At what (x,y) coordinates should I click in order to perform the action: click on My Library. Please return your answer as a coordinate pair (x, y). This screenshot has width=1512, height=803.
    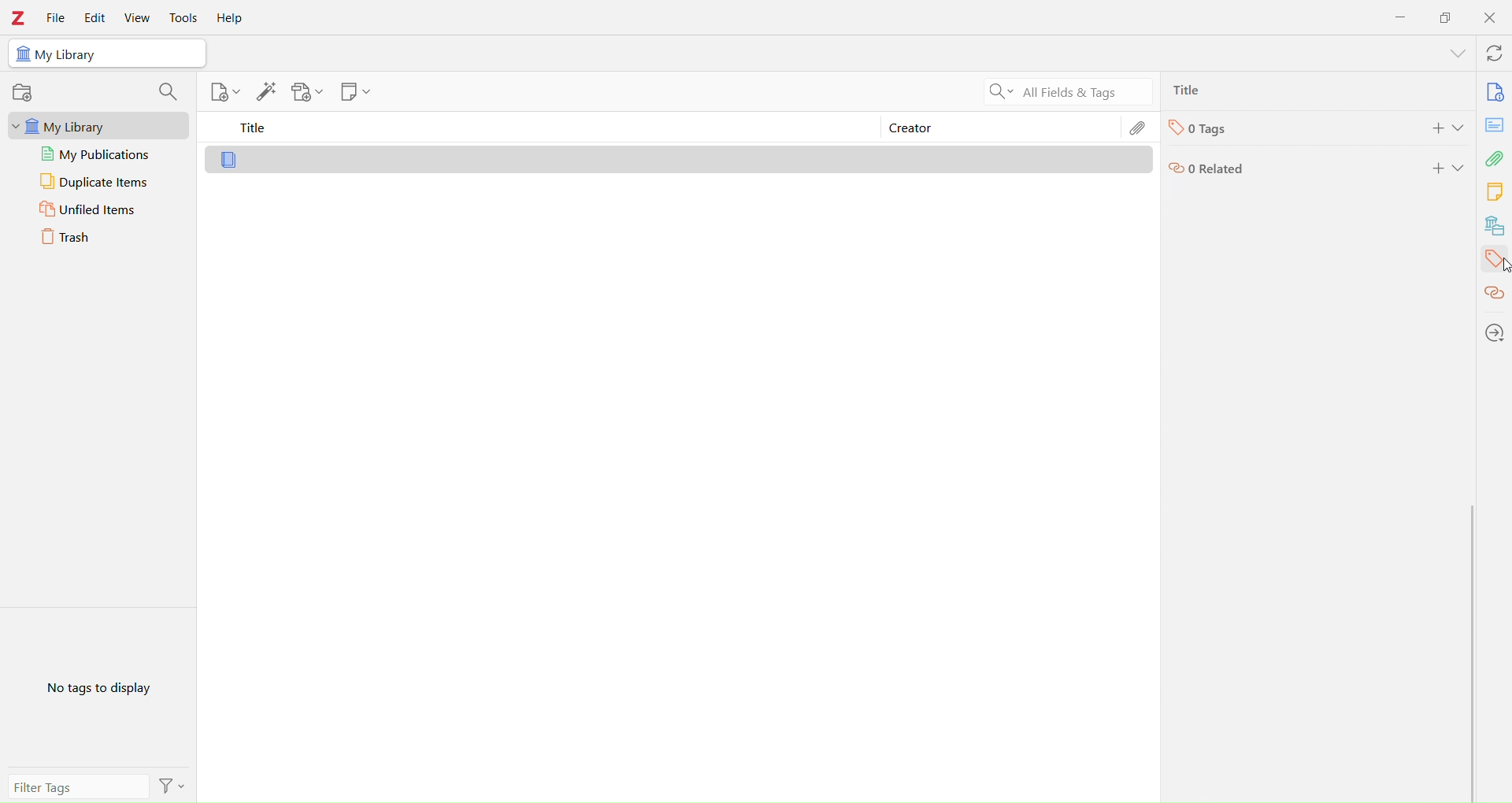
    Looking at the image, I should click on (98, 126).